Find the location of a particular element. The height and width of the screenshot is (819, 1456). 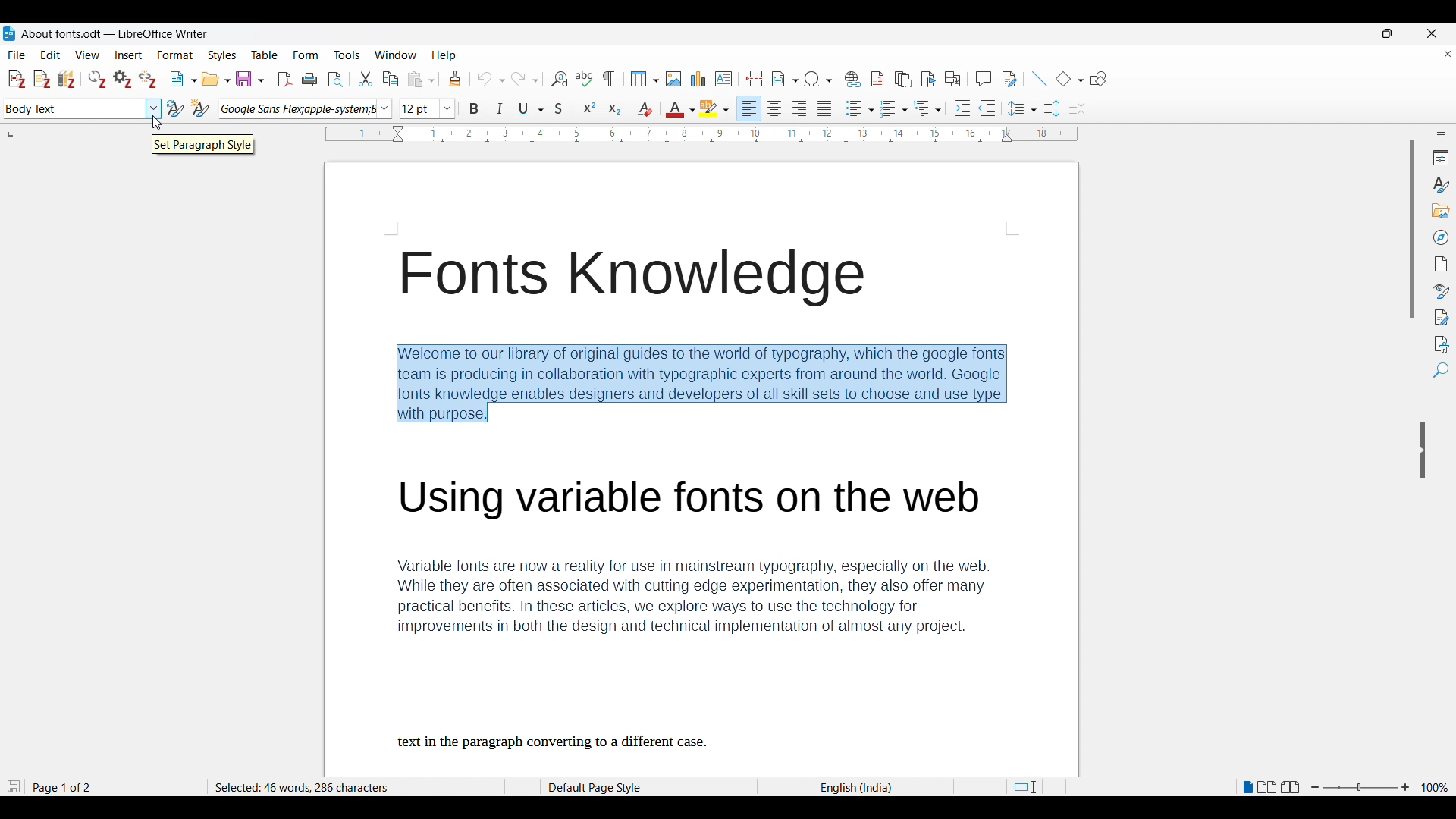

Text color options is located at coordinates (681, 108).